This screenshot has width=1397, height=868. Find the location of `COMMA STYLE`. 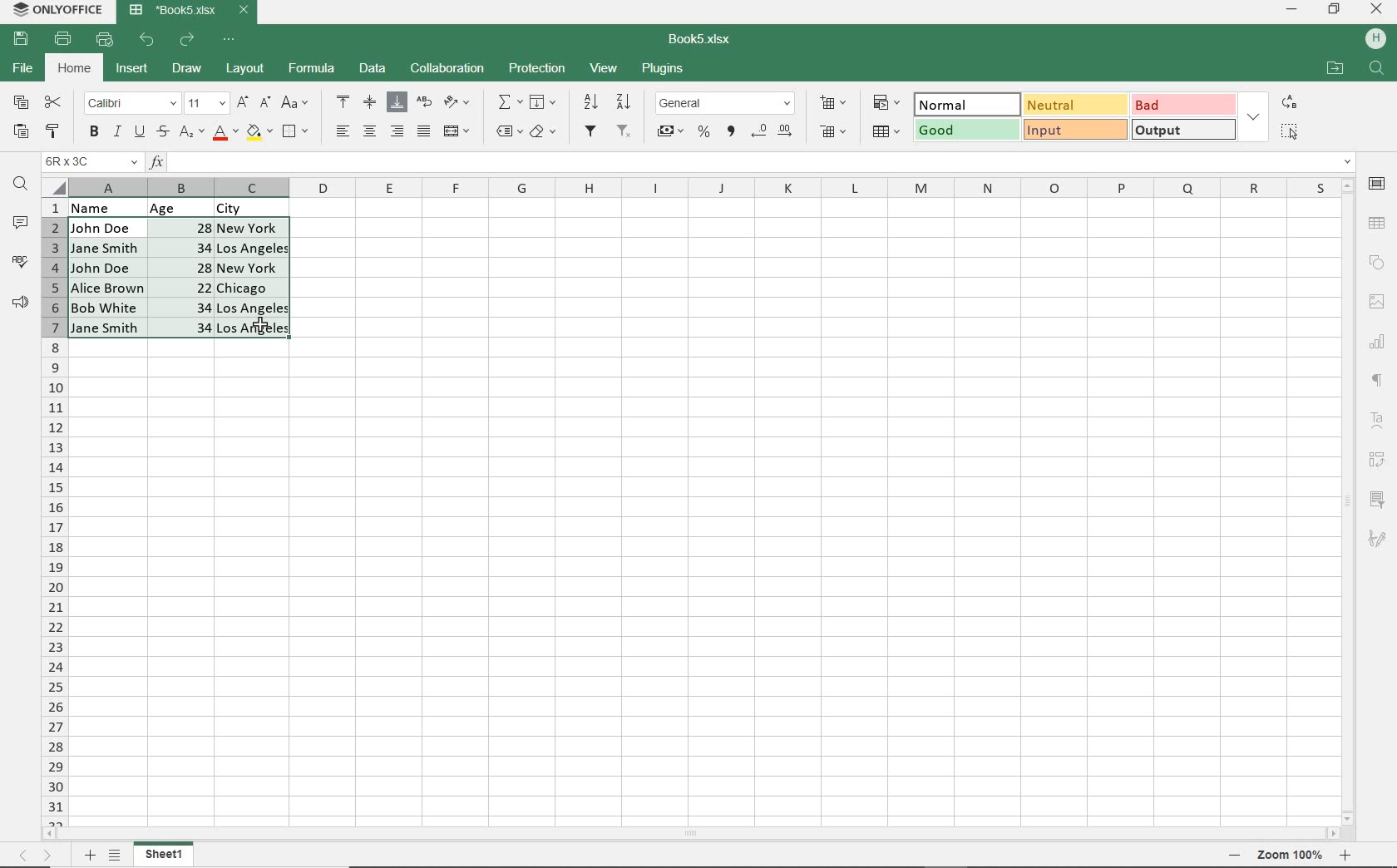

COMMA STYLE is located at coordinates (729, 131).